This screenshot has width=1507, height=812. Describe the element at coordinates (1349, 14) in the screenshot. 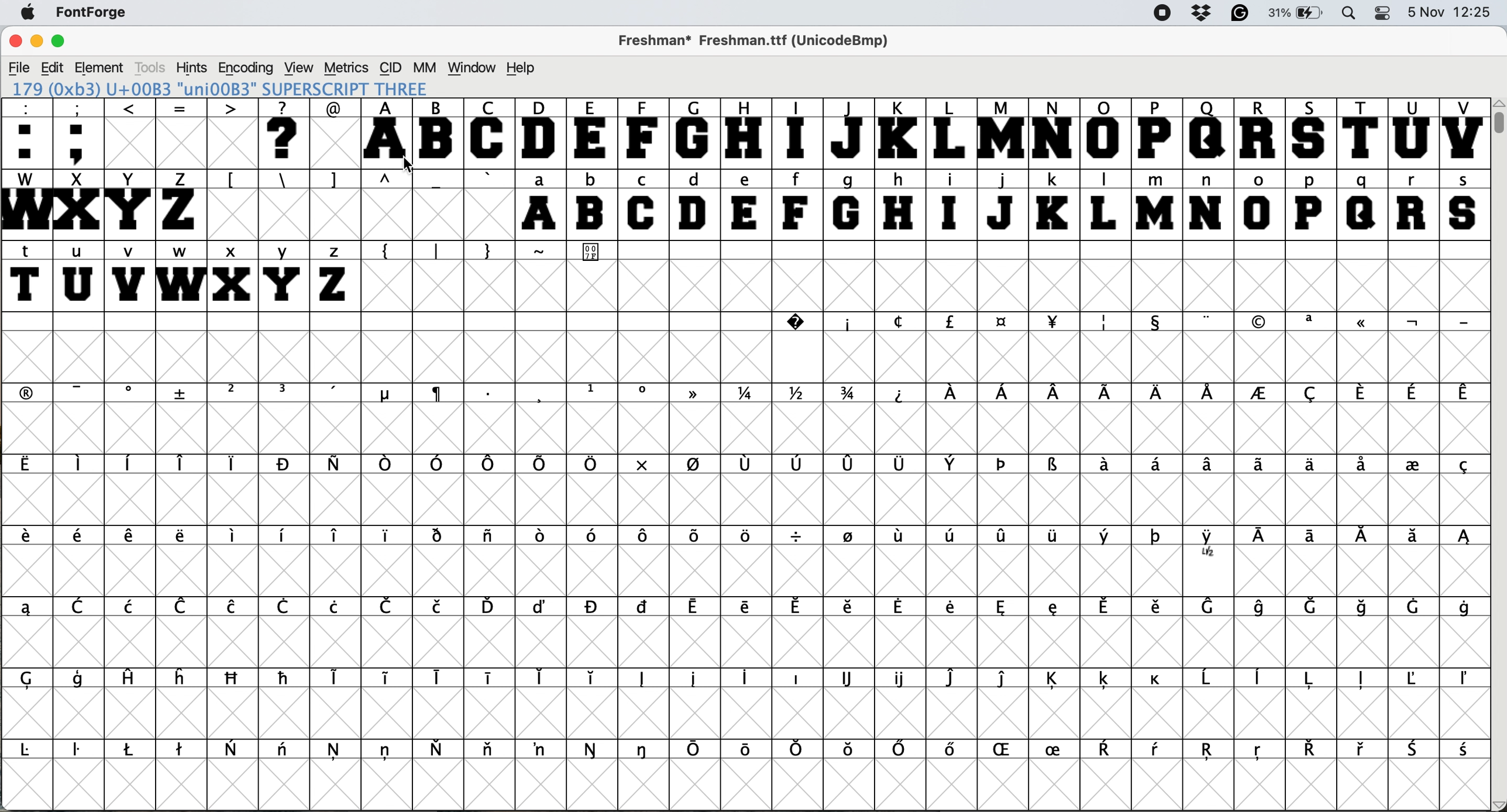

I see `spotlight search` at that location.